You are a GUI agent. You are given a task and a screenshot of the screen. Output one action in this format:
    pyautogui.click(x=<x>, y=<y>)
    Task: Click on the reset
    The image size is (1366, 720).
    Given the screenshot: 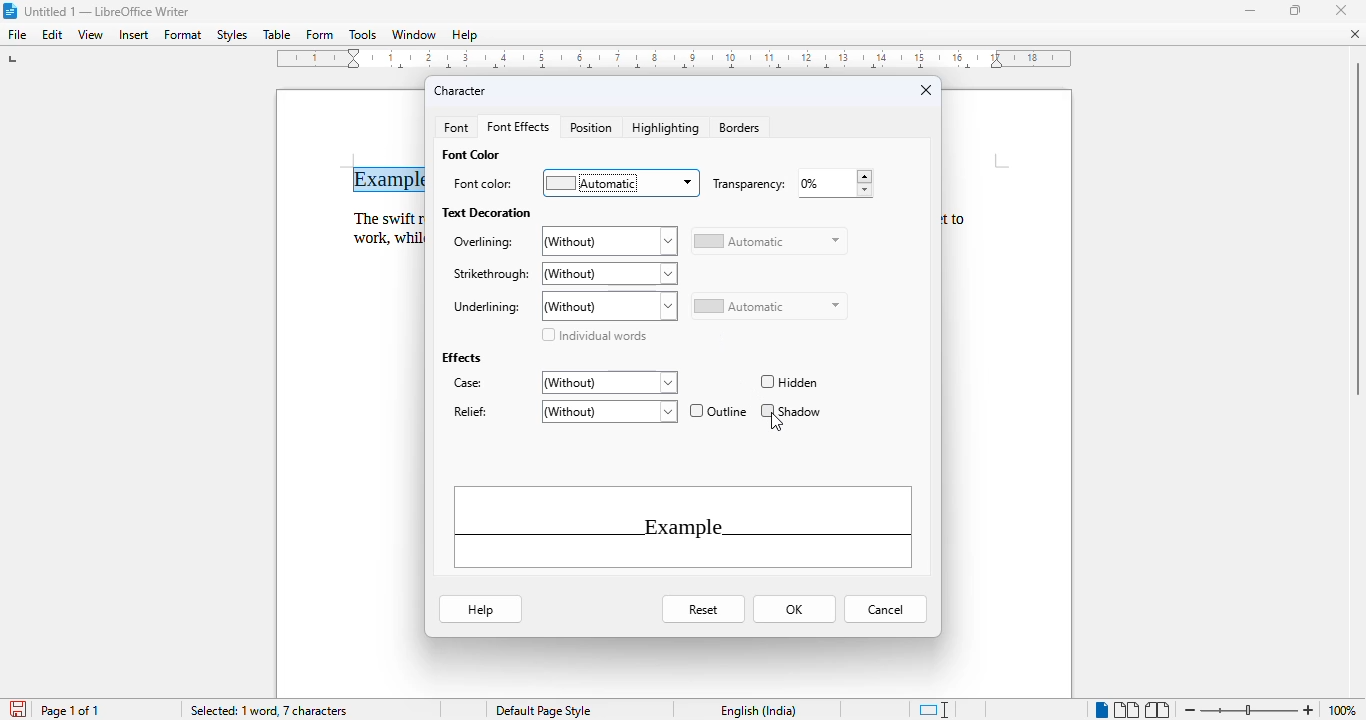 What is the action you would take?
    pyautogui.click(x=705, y=610)
    